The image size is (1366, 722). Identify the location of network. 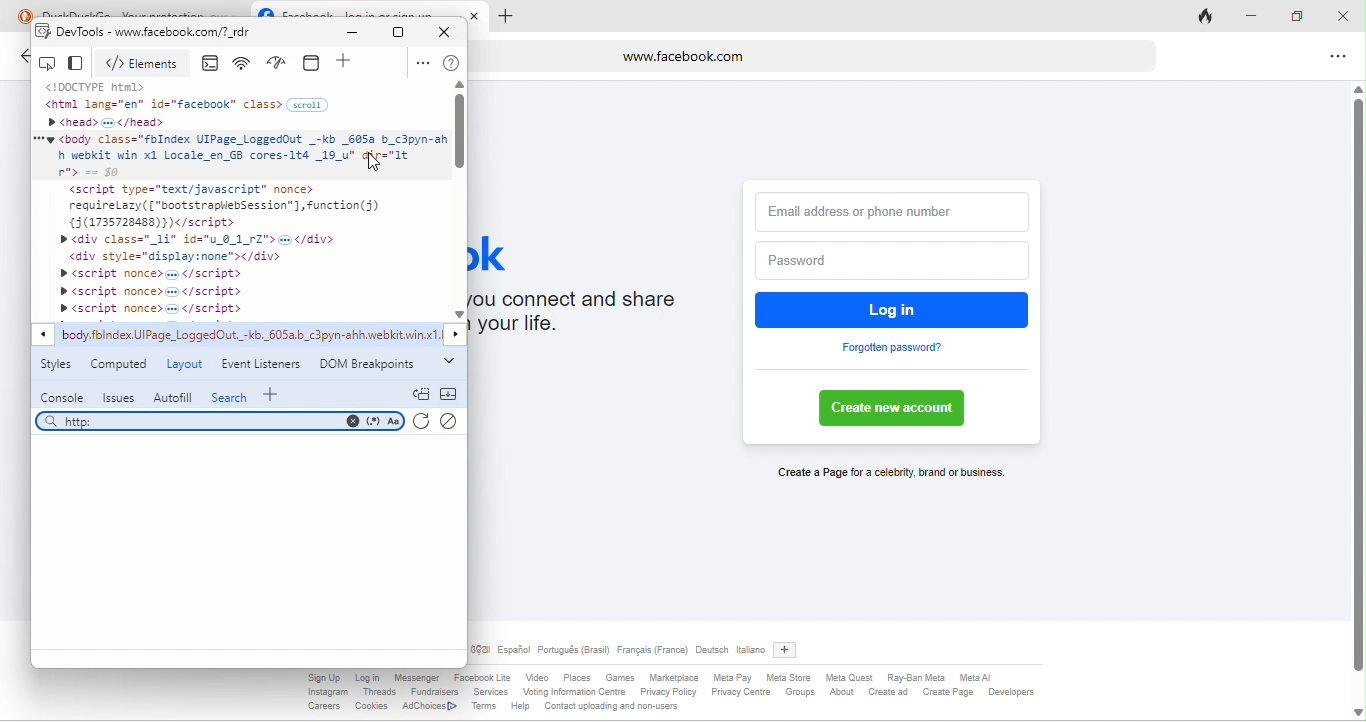
(245, 64).